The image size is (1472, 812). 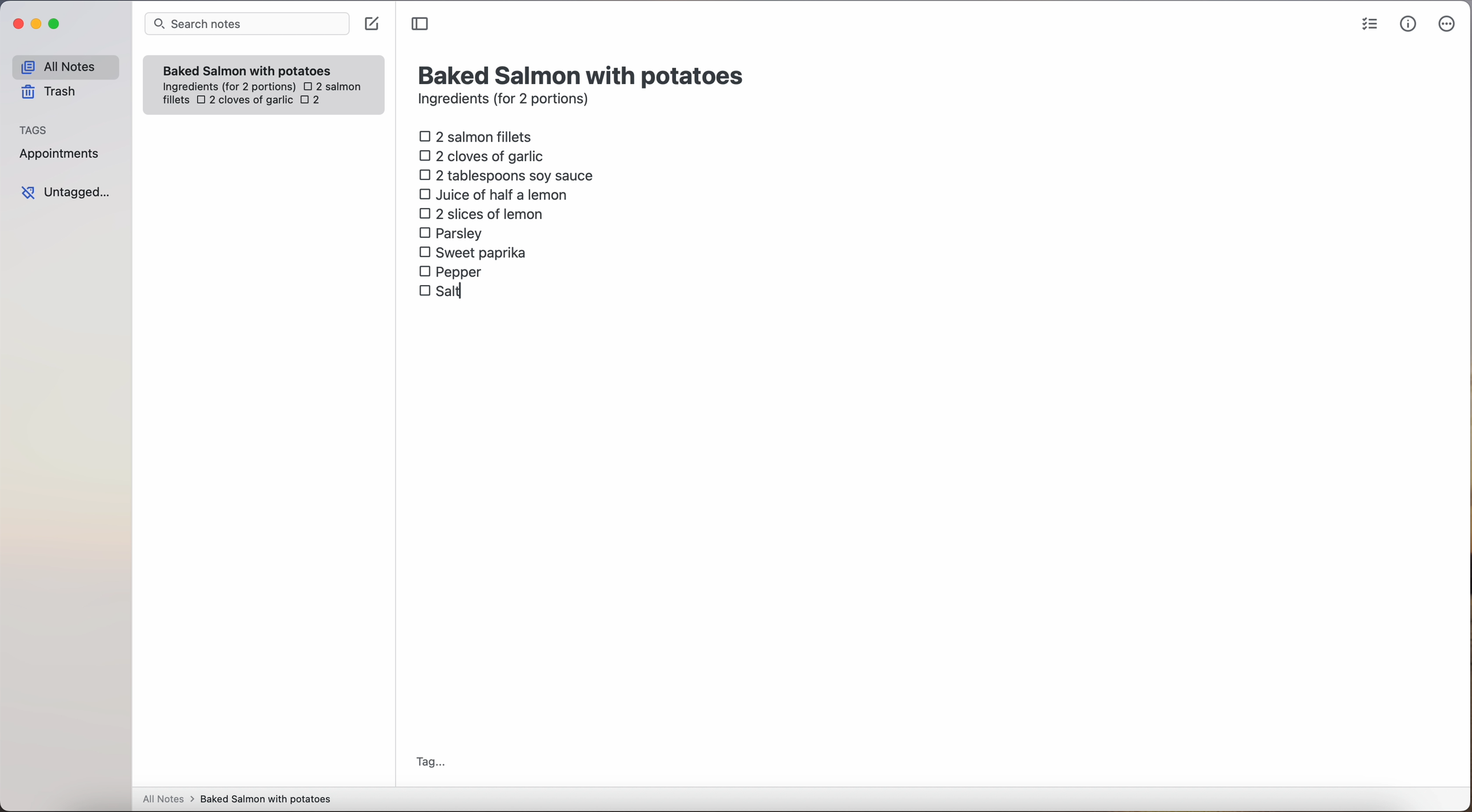 What do you see at coordinates (583, 74) in the screenshot?
I see `title: Baked Salmon with potatoes` at bounding box center [583, 74].